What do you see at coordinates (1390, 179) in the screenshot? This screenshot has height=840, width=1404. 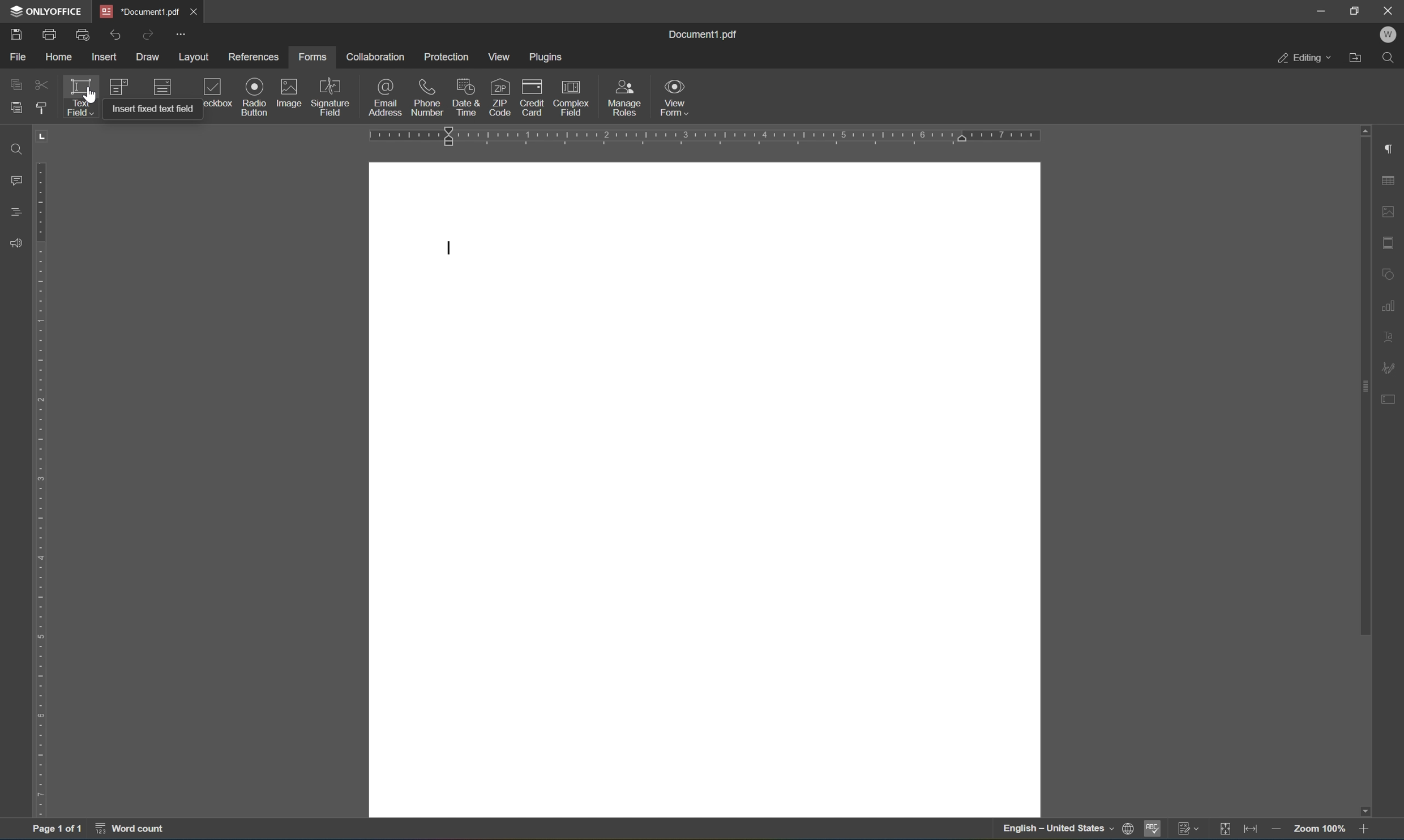 I see `table settings` at bounding box center [1390, 179].